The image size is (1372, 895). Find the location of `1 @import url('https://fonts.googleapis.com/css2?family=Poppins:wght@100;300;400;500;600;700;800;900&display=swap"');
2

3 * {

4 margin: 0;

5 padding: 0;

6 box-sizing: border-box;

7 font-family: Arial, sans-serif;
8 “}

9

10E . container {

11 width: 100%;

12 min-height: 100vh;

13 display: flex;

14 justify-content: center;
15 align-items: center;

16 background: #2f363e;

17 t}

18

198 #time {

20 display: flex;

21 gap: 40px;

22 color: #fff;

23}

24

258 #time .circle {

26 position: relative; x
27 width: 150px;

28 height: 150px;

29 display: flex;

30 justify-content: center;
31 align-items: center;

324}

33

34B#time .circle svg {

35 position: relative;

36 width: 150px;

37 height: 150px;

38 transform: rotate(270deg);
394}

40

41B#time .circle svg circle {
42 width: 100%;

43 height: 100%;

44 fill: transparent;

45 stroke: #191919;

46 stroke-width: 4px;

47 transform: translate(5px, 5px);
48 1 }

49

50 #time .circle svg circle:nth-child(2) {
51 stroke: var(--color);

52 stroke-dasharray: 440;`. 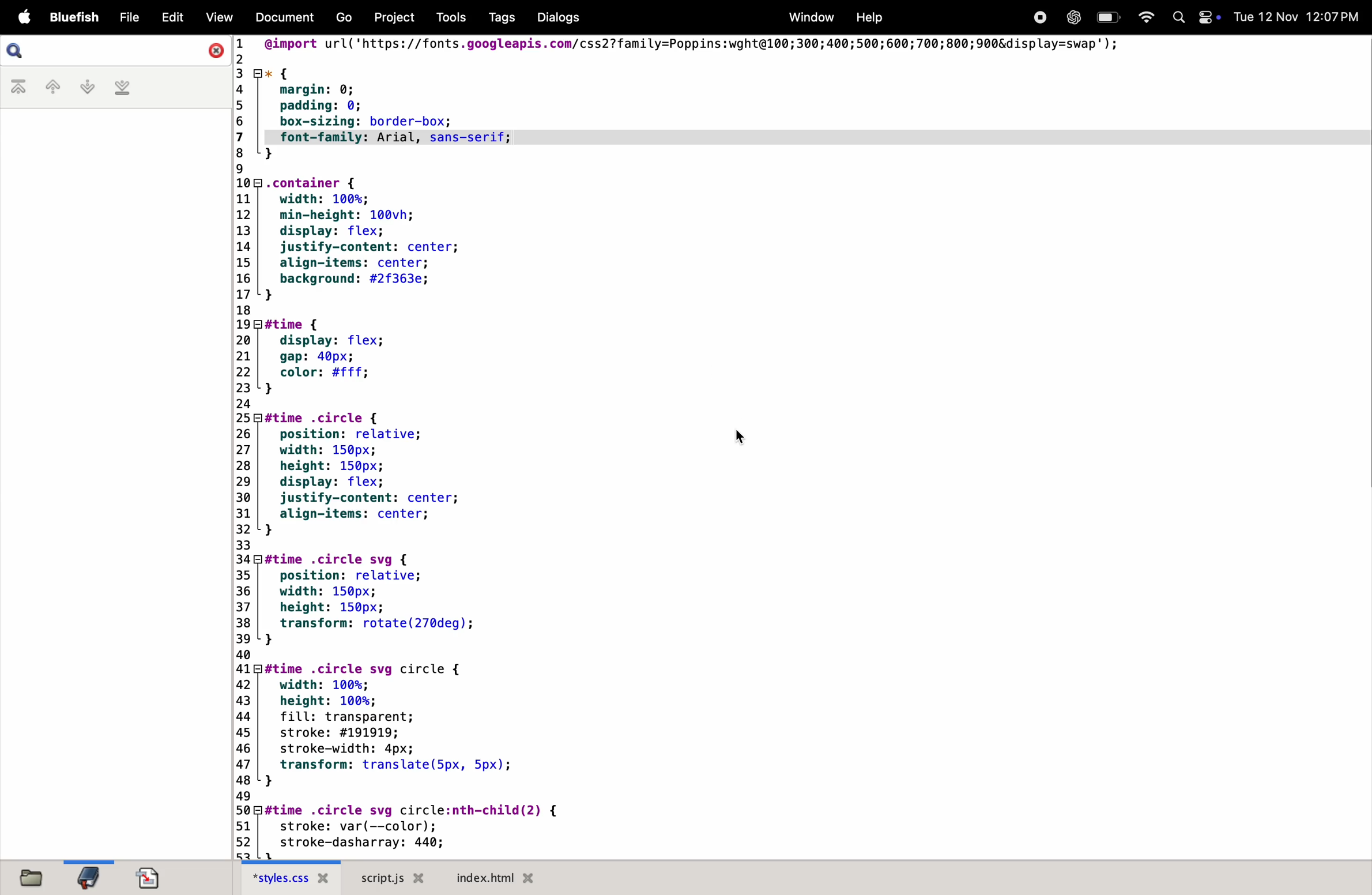

1 @import url('https://fonts.googleapis.com/css2?family=Poppins:wght@100;300;400;500;600;700;800;900&display=swap"');
2

3 * {

4 margin: 0;

5 padding: 0;

6 box-sizing: border-box;

7 font-family: Arial, sans-serif;
8 “}

9

10E . container {

11 width: 100%;

12 min-height: 100vh;

13 display: flex;

14 justify-content: center;
15 align-items: center;

16 background: #2f363e;

17 t}

18

198 #time {

20 display: flex;

21 gap: 40px;

22 color: #fff;

23}

24

258 #time .circle {

26 position: relative; x
27 width: 150px;

28 height: 150px;

29 display: flex;

30 justify-content: center;
31 align-items: center;

324}

33

34B#time .circle svg {

35 position: relative;

36 width: 150px;

37 height: 150px;

38 transform: rotate(270deg);
394}

40

41B#time .circle svg circle {
42 width: 100%;

43 height: 100%;

44 fill: transparent;

45 stroke: #191919;

46 stroke-width: 4px;

47 transform: translate(5px, 5px);
48 1 }

49

50 #time .circle svg circle:nth-child(2) {
51 stroke: var(--color);

52 stroke-dasharray: 440; is located at coordinates (739, 446).